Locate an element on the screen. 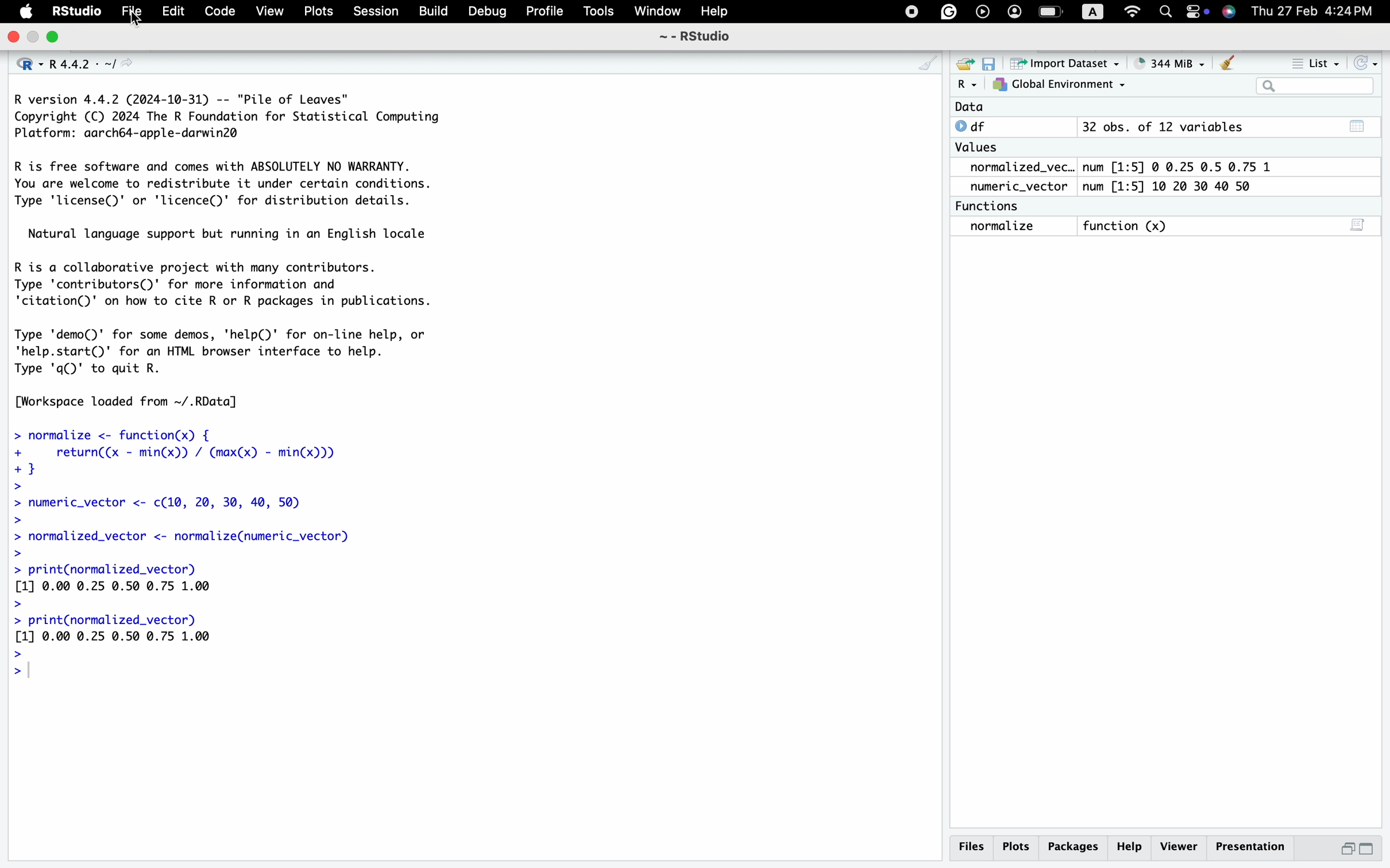 The height and width of the screenshot is (868, 1390). refresh is located at coordinates (1362, 63).